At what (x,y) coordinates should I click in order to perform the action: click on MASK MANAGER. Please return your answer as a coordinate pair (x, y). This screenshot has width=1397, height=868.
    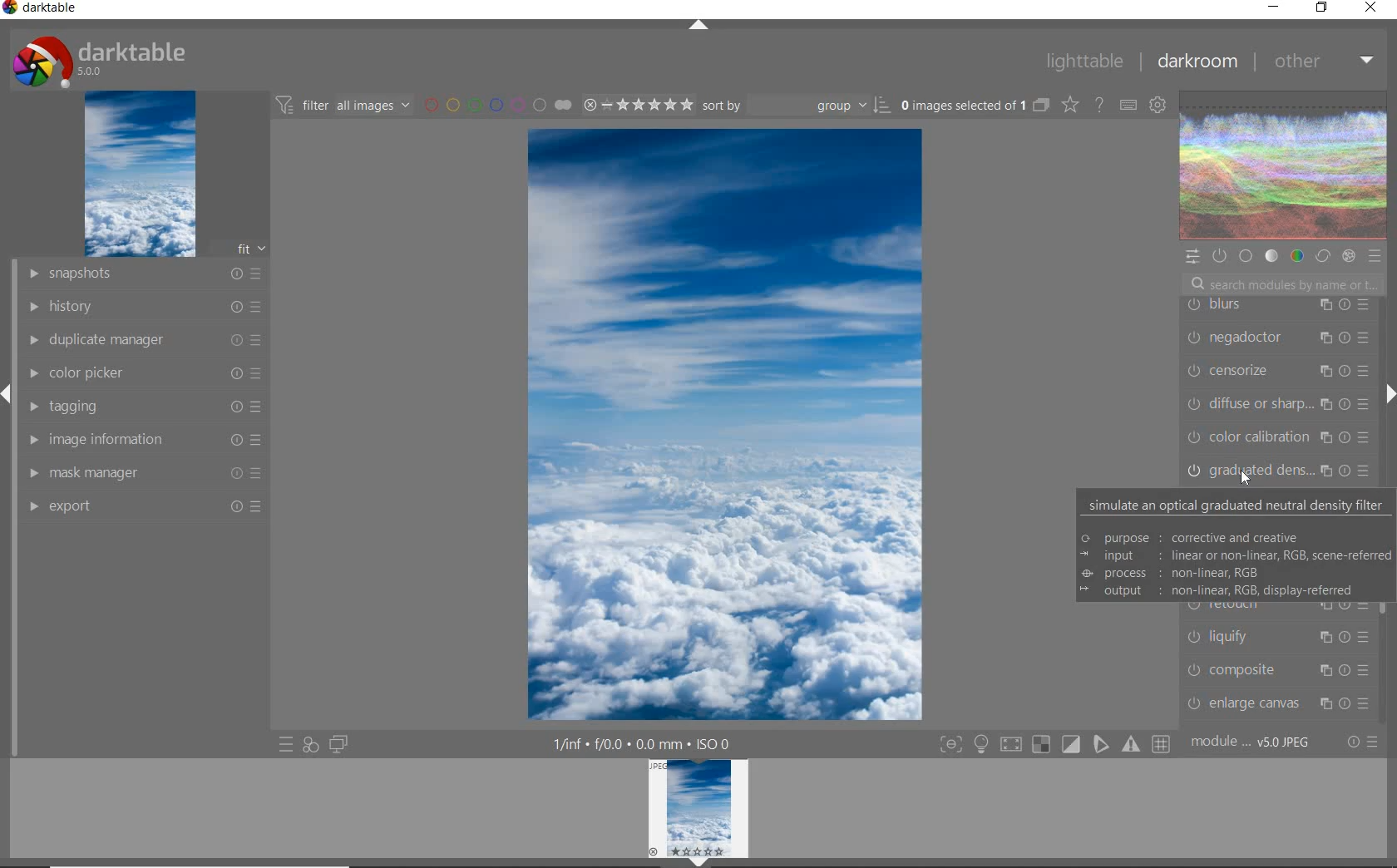
    Looking at the image, I should click on (147, 472).